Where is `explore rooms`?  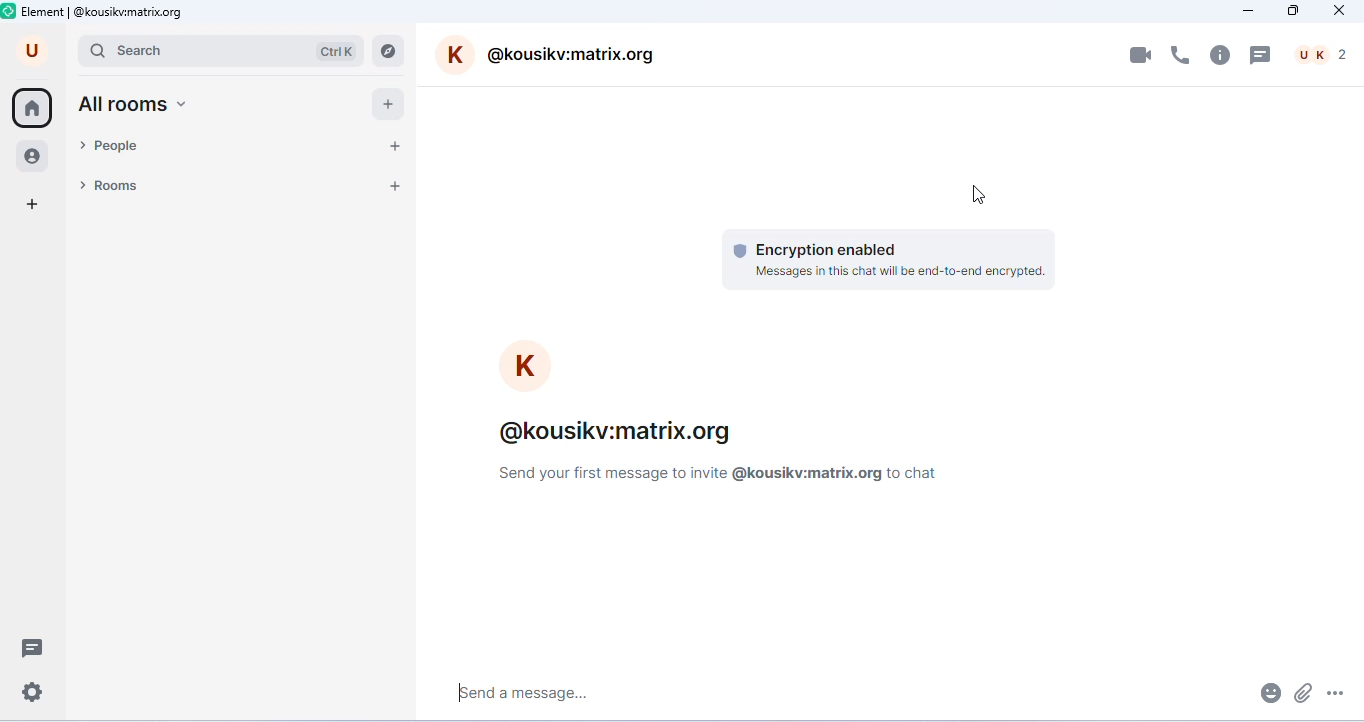 explore rooms is located at coordinates (389, 51).